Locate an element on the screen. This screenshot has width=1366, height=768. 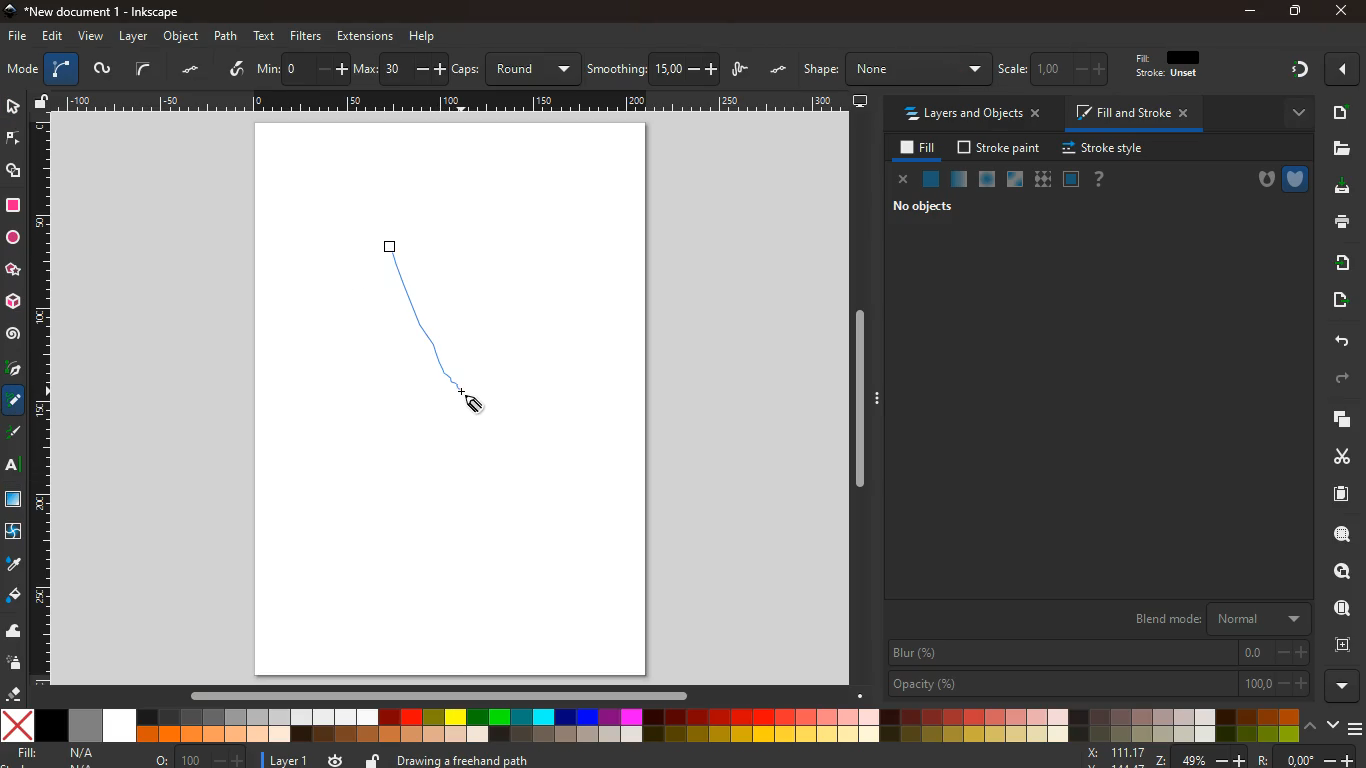
fill is located at coordinates (1177, 65).